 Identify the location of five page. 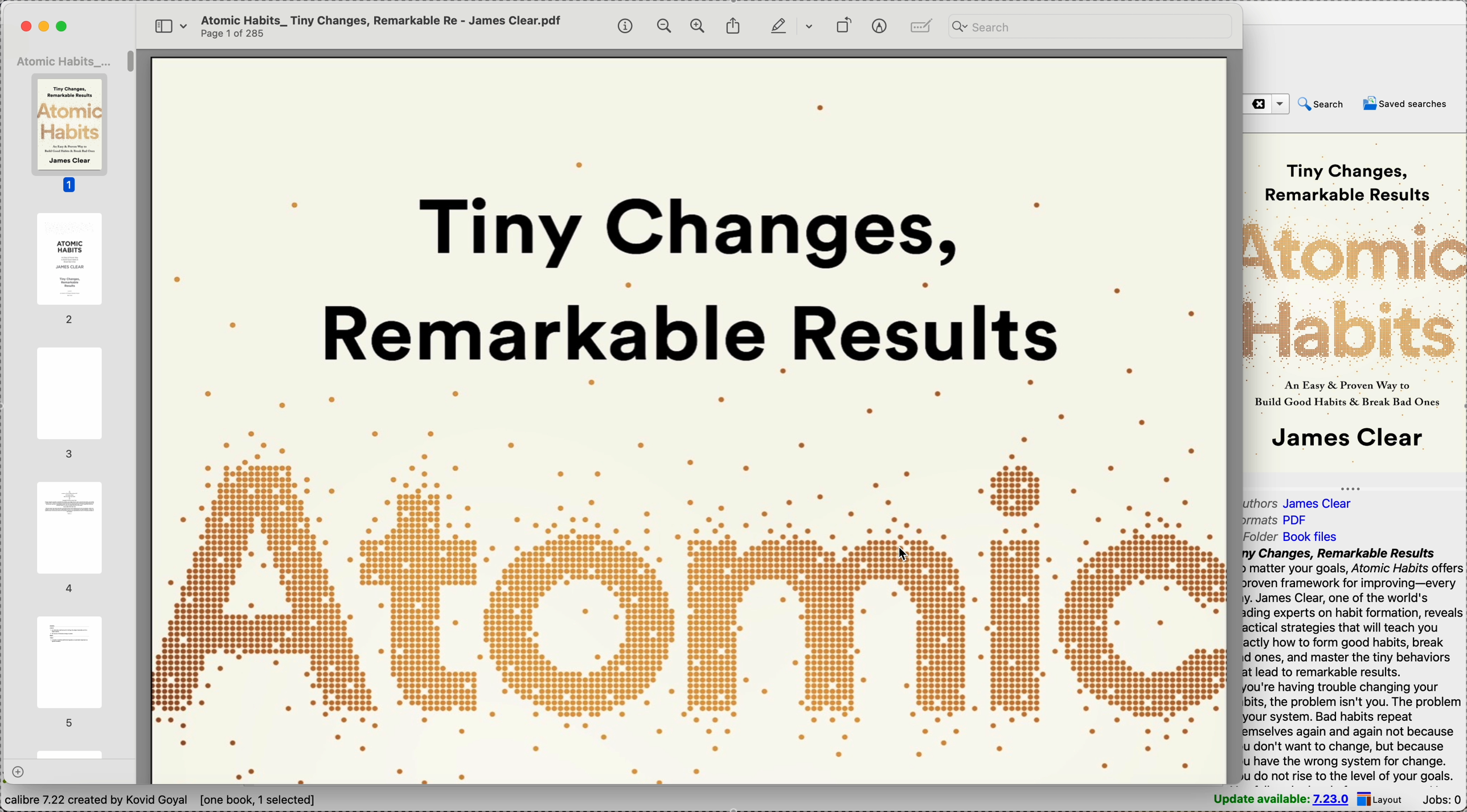
(68, 671).